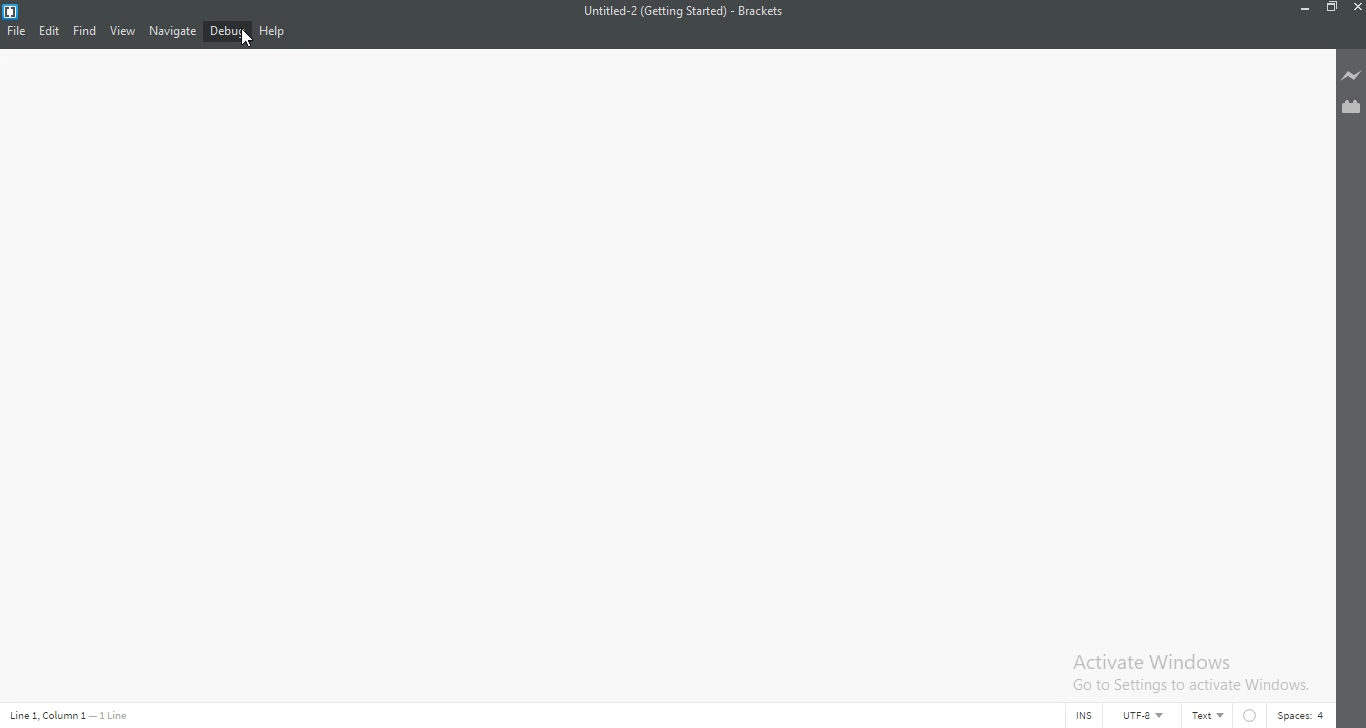 Image resolution: width=1366 pixels, height=728 pixels. What do you see at coordinates (1351, 76) in the screenshot?
I see `live preview` at bounding box center [1351, 76].